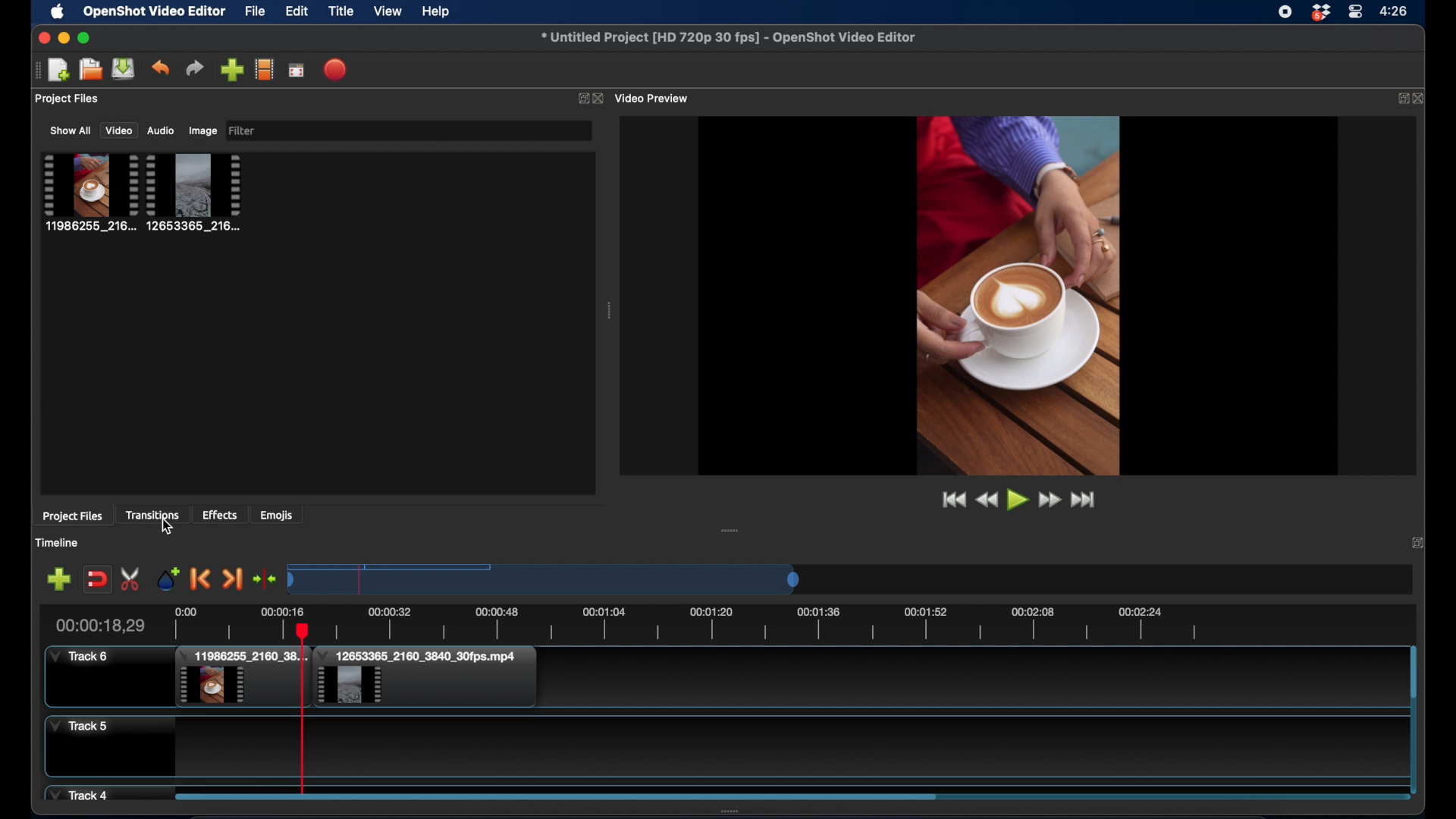 This screenshot has height=819, width=1456. What do you see at coordinates (89, 70) in the screenshot?
I see `open project` at bounding box center [89, 70].